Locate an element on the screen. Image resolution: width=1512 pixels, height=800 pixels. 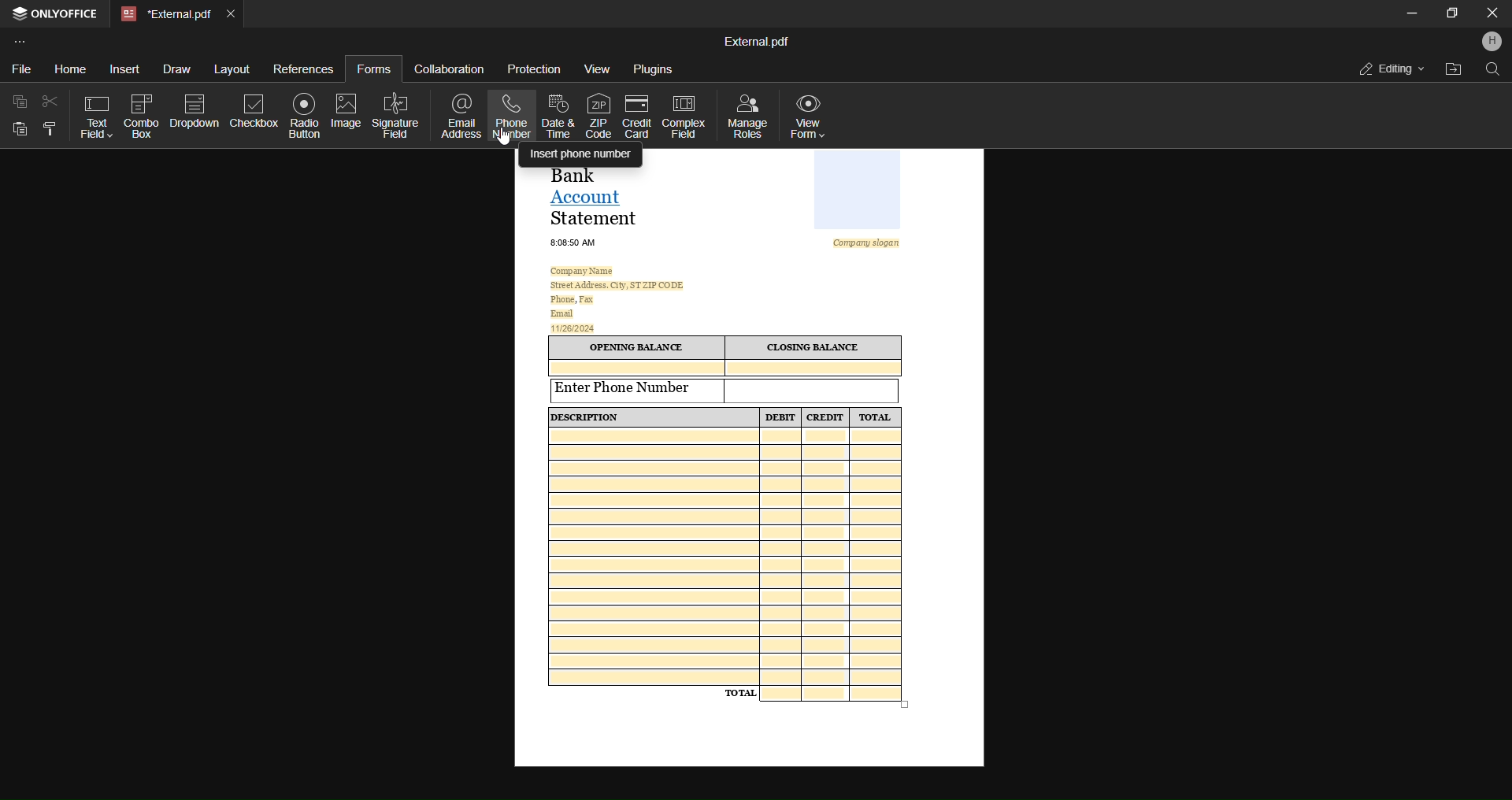
copy style is located at coordinates (52, 128).